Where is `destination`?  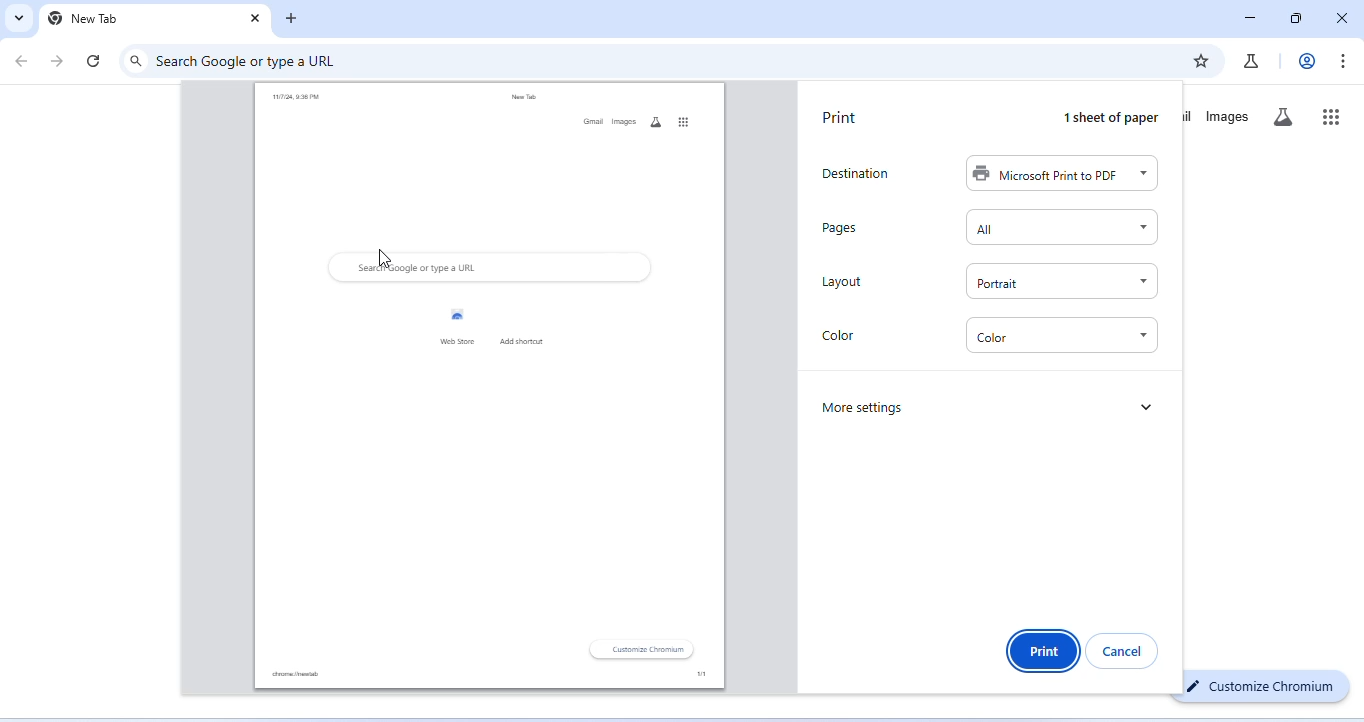
destination is located at coordinates (862, 172).